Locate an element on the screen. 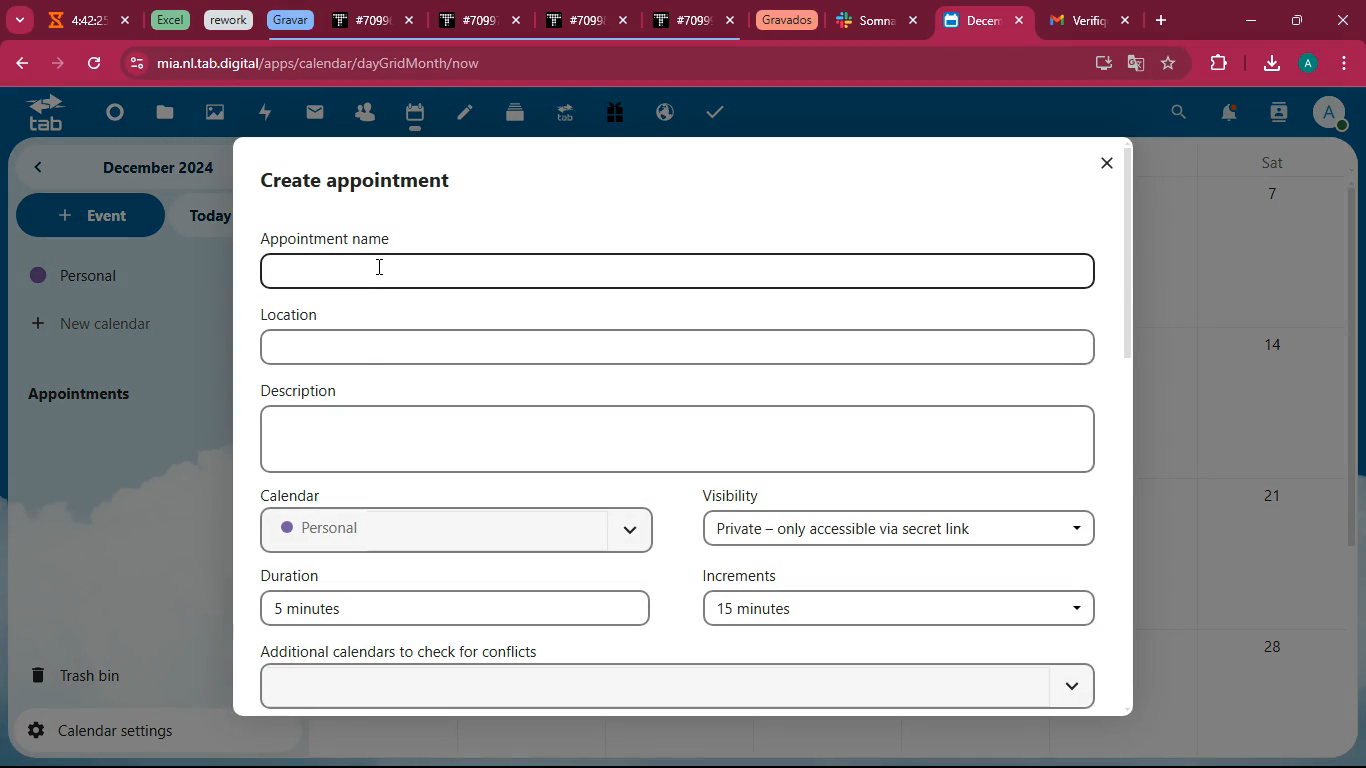 Image resolution: width=1366 pixels, height=768 pixels. create appointment is located at coordinates (377, 179).